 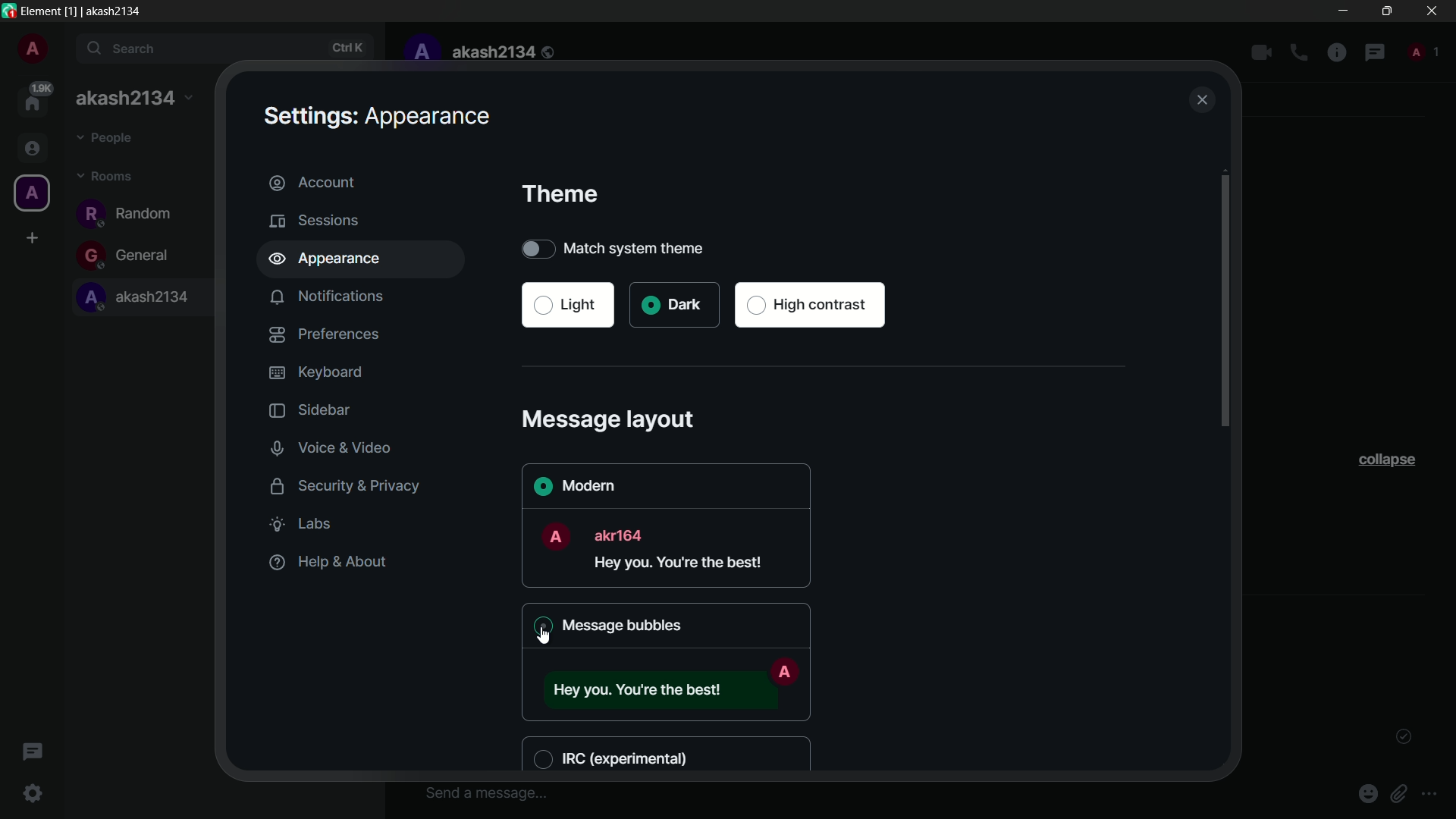 What do you see at coordinates (107, 11) in the screenshot?
I see `[1] | akash2134` at bounding box center [107, 11].